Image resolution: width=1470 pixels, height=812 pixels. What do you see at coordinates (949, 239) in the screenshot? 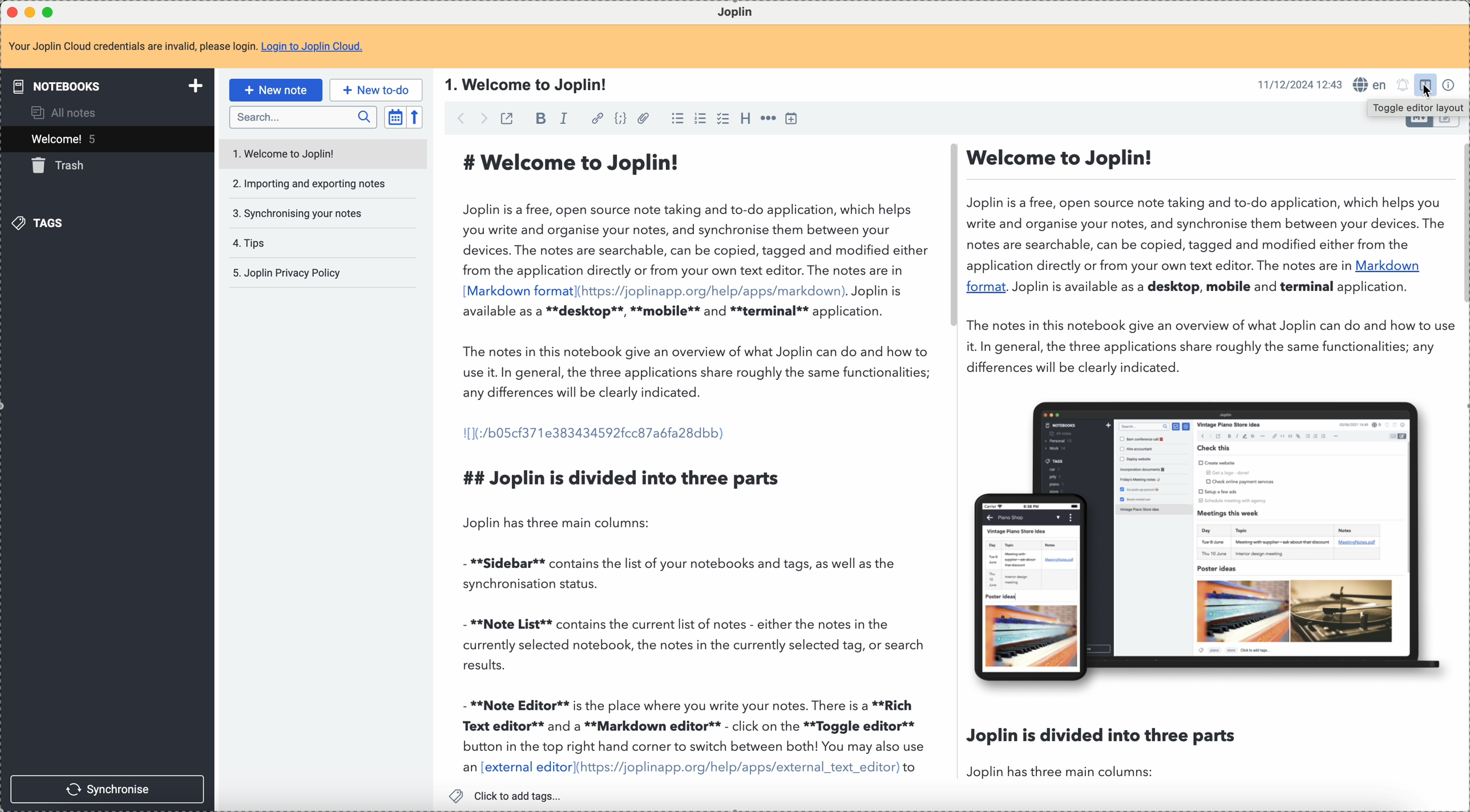
I see `scroll bar` at bounding box center [949, 239].